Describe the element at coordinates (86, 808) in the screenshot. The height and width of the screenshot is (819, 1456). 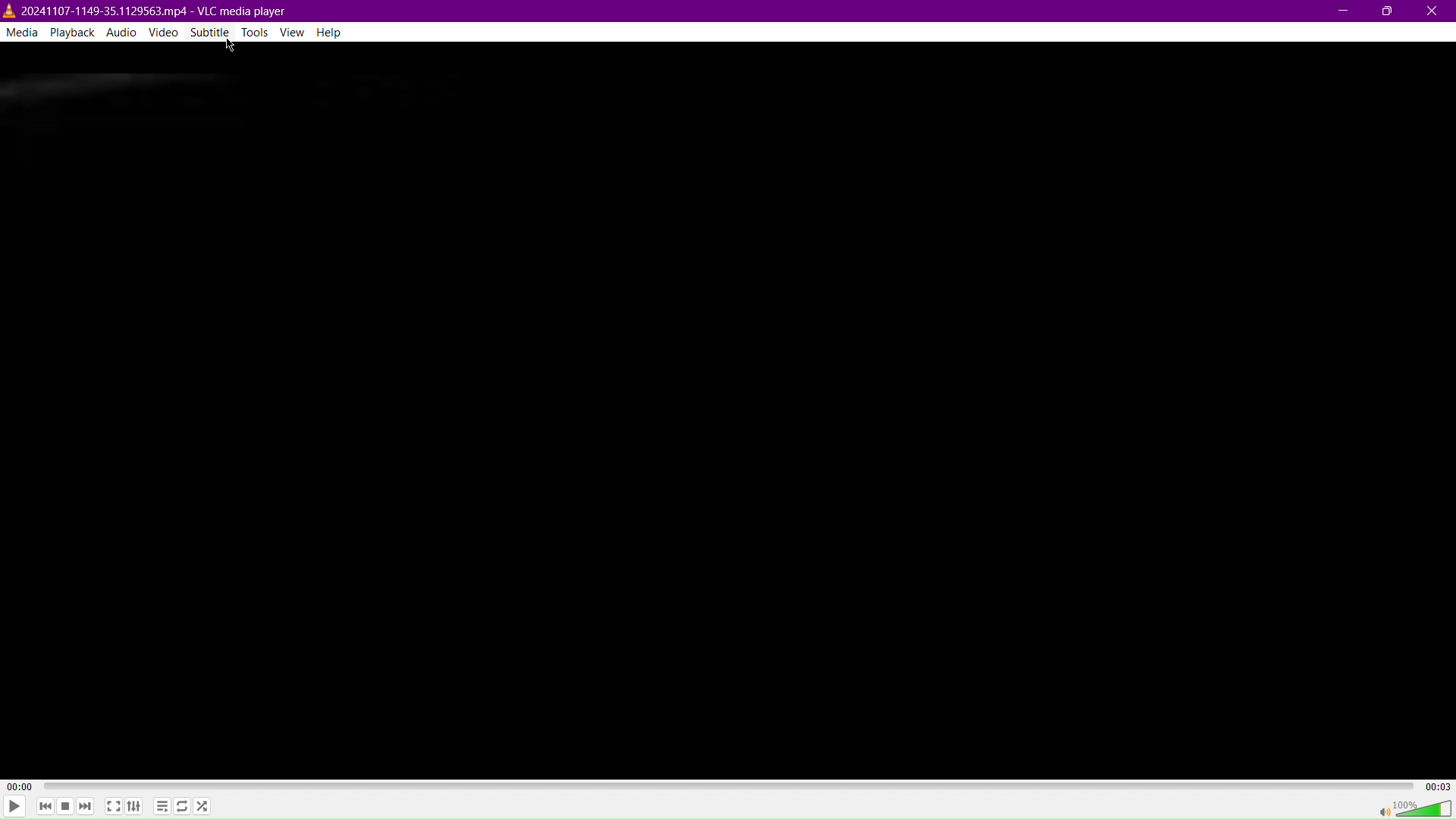
I see `Skip Forward` at that location.